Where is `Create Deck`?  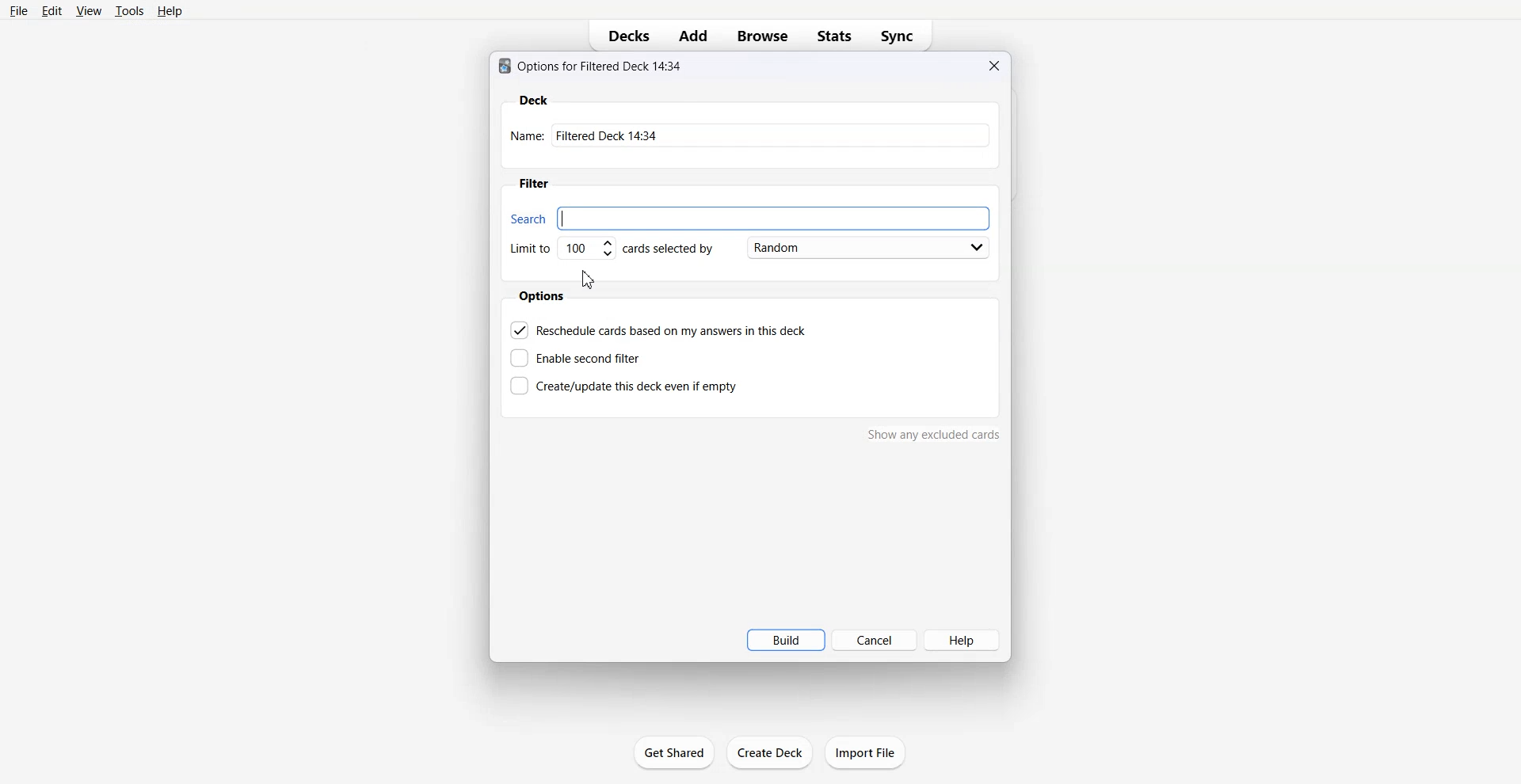
Create Deck is located at coordinates (769, 752).